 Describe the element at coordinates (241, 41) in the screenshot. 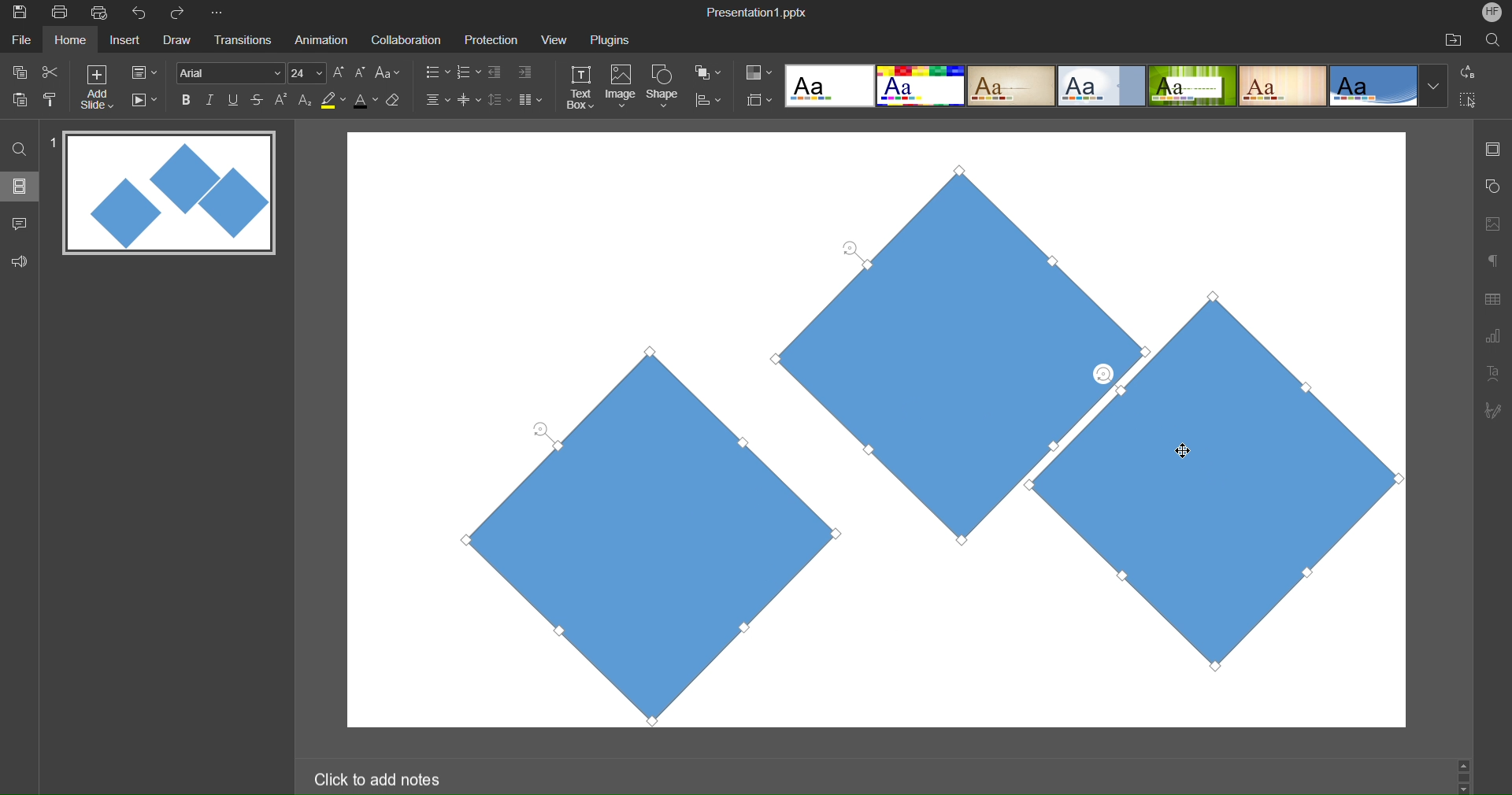

I see `Transitions` at that location.